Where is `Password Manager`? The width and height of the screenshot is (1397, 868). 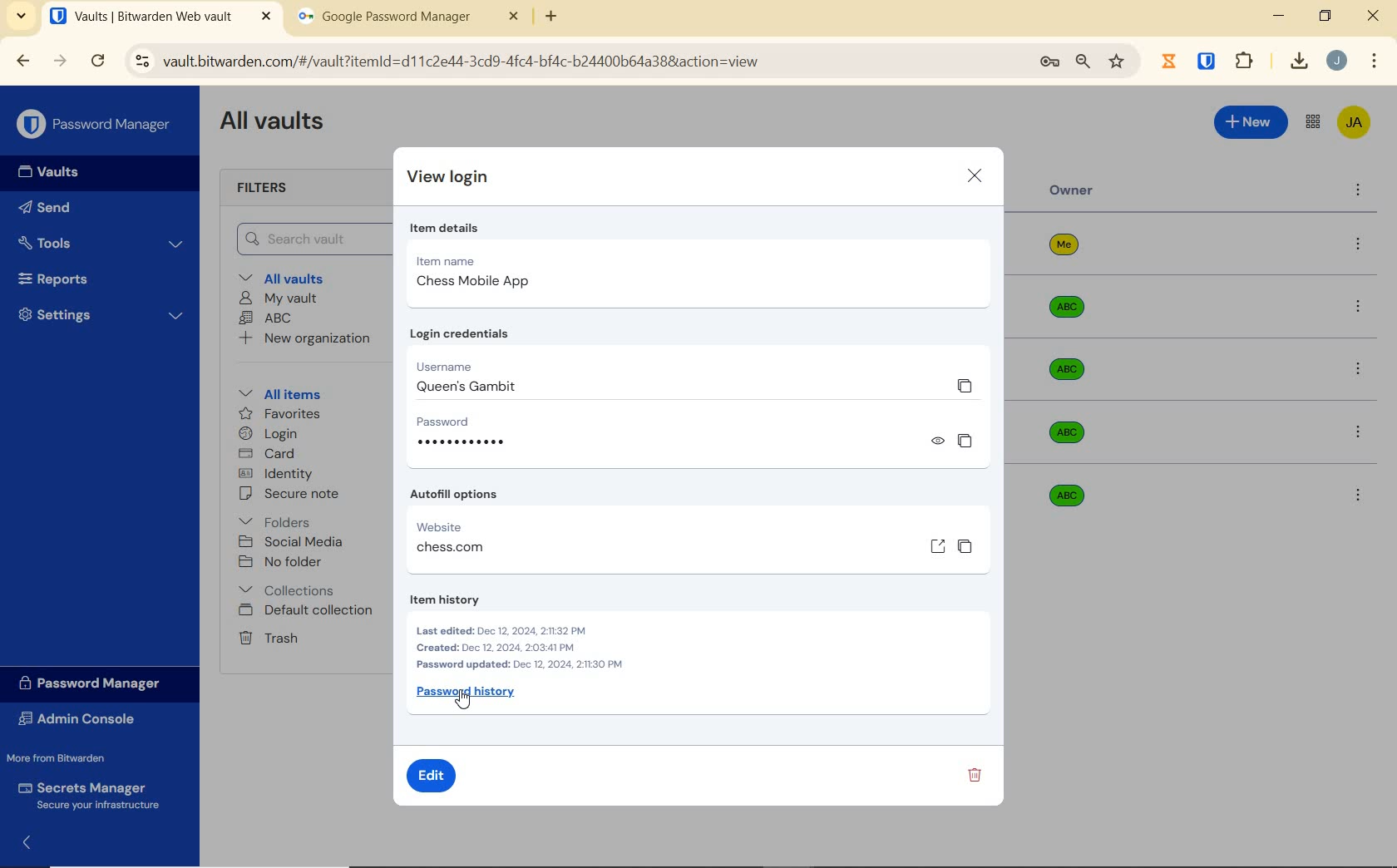
Password Manager is located at coordinates (98, 684).